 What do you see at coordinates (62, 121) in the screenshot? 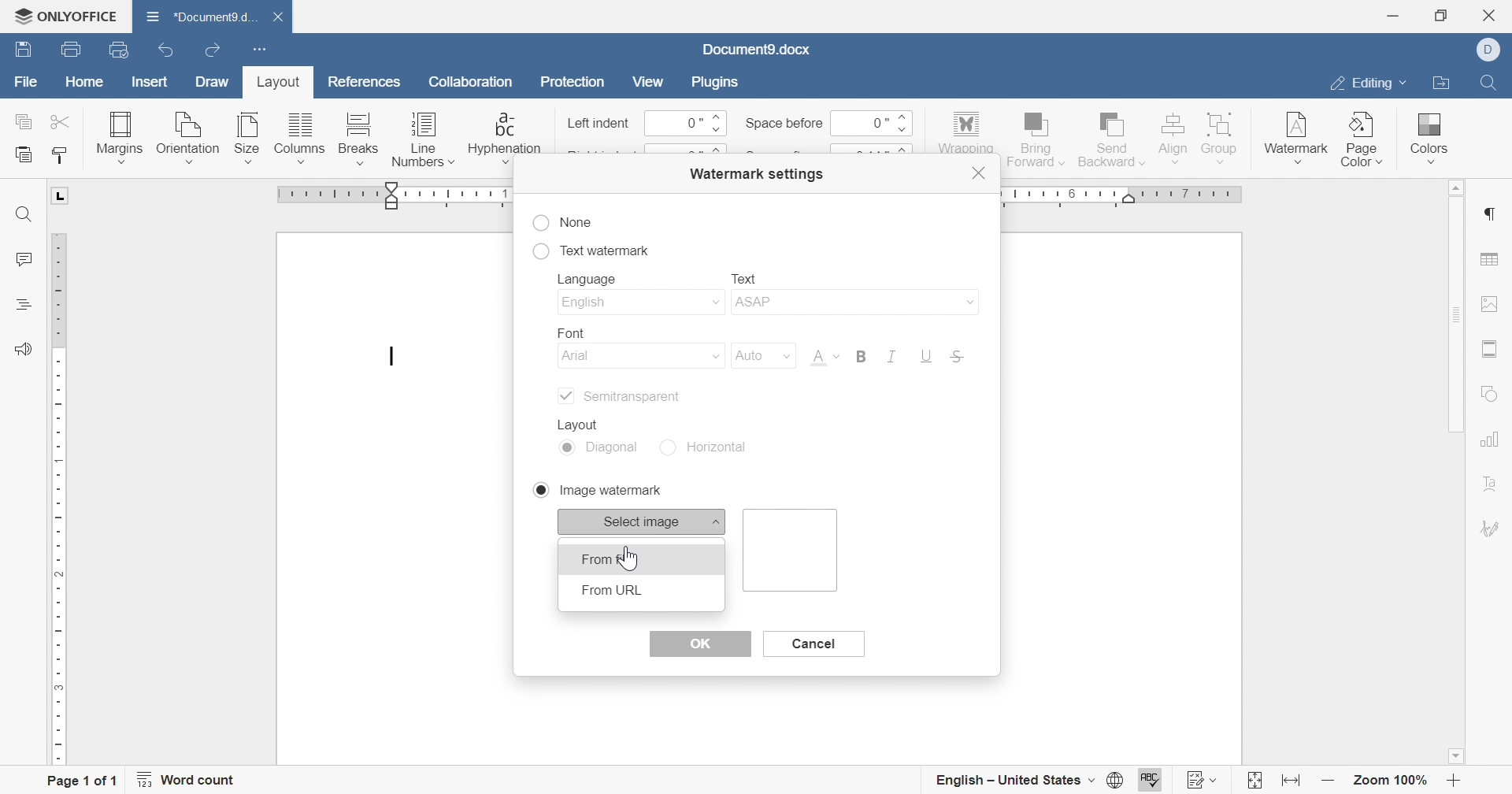
I see `cut` at bounding box center [62, 121].